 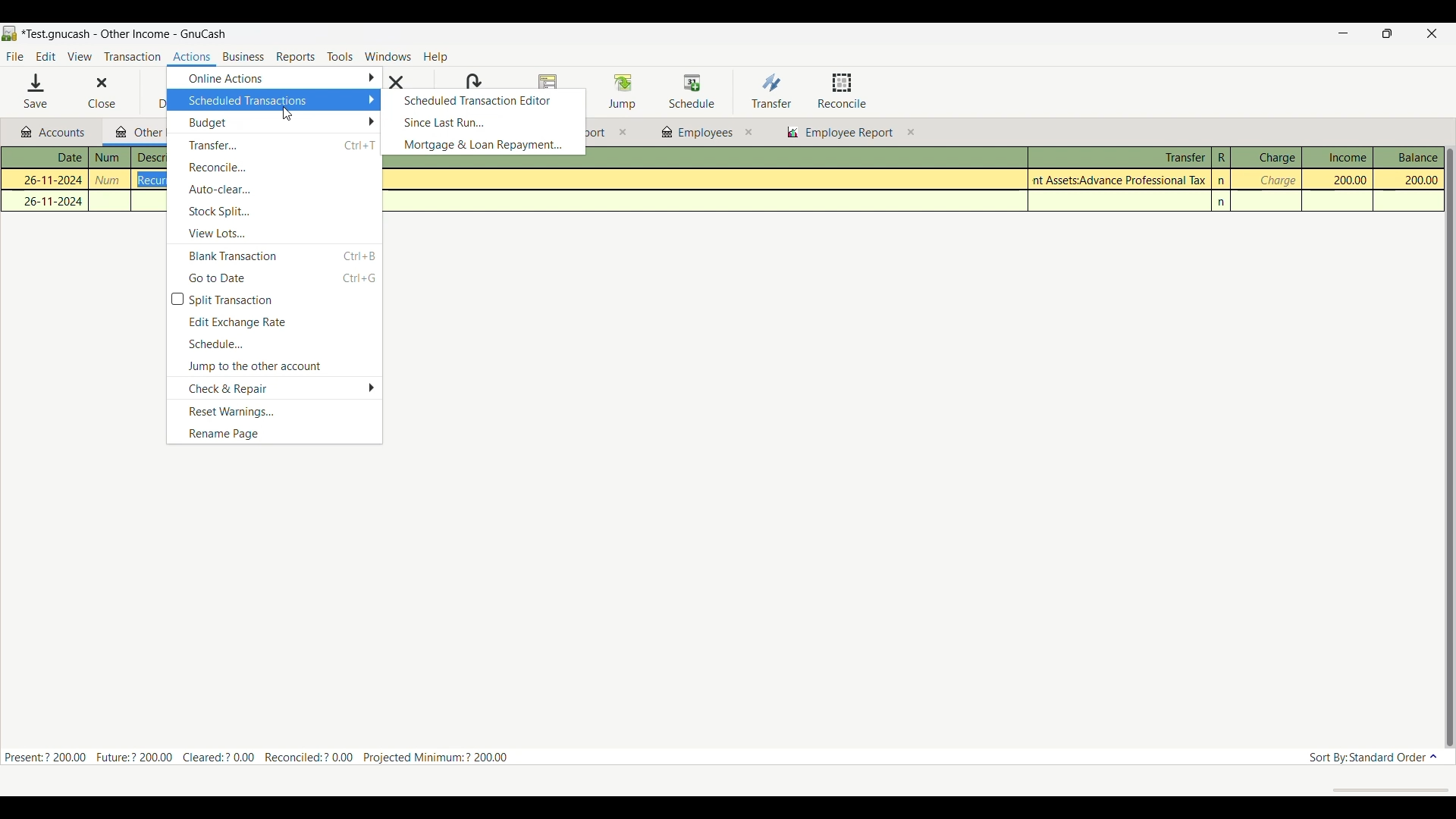 What do you see at coordinates (1337, 157) in the screenshot?
I see `Income column` at bounding box center [1337, 157].